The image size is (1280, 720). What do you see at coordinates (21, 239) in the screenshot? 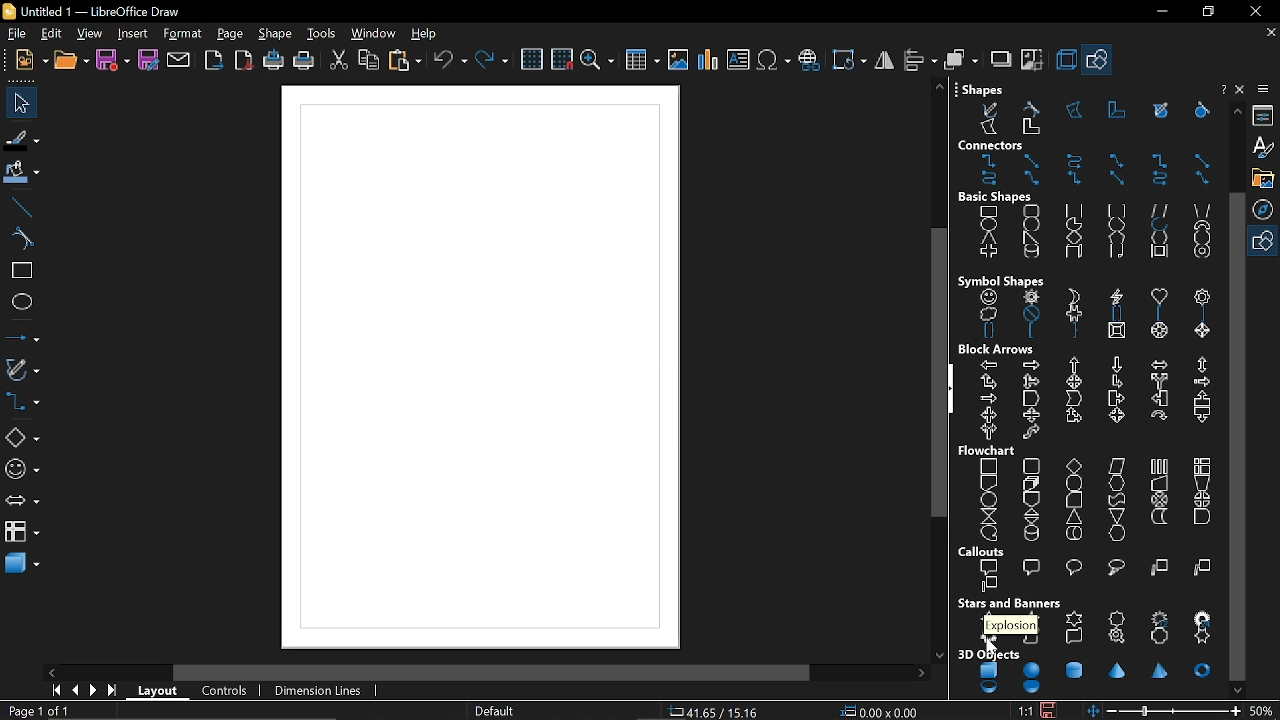
I see `curve` at bounding box center [21, 239].